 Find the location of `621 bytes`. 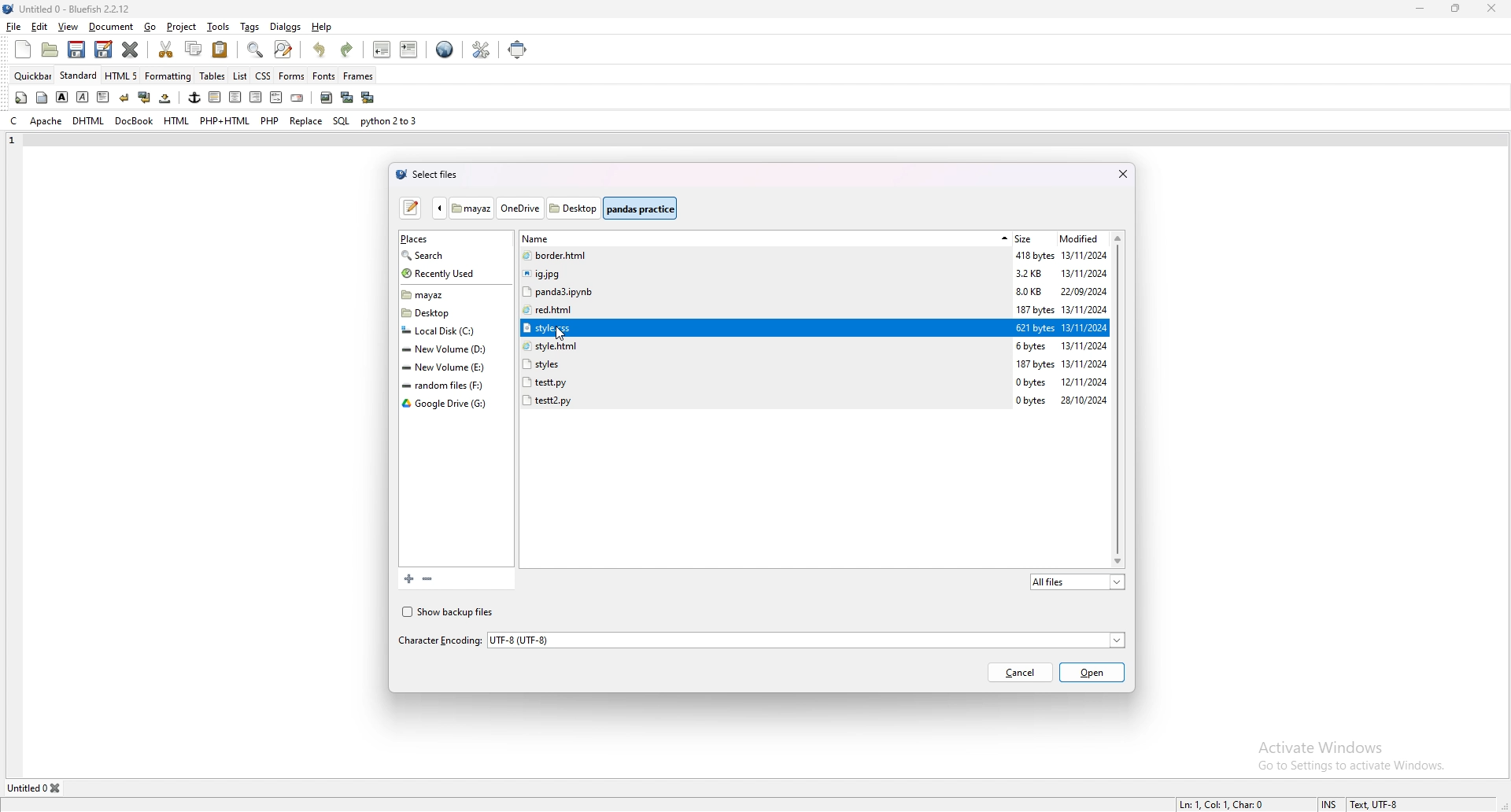

621 bytes is located at coordinates (1036, 328).